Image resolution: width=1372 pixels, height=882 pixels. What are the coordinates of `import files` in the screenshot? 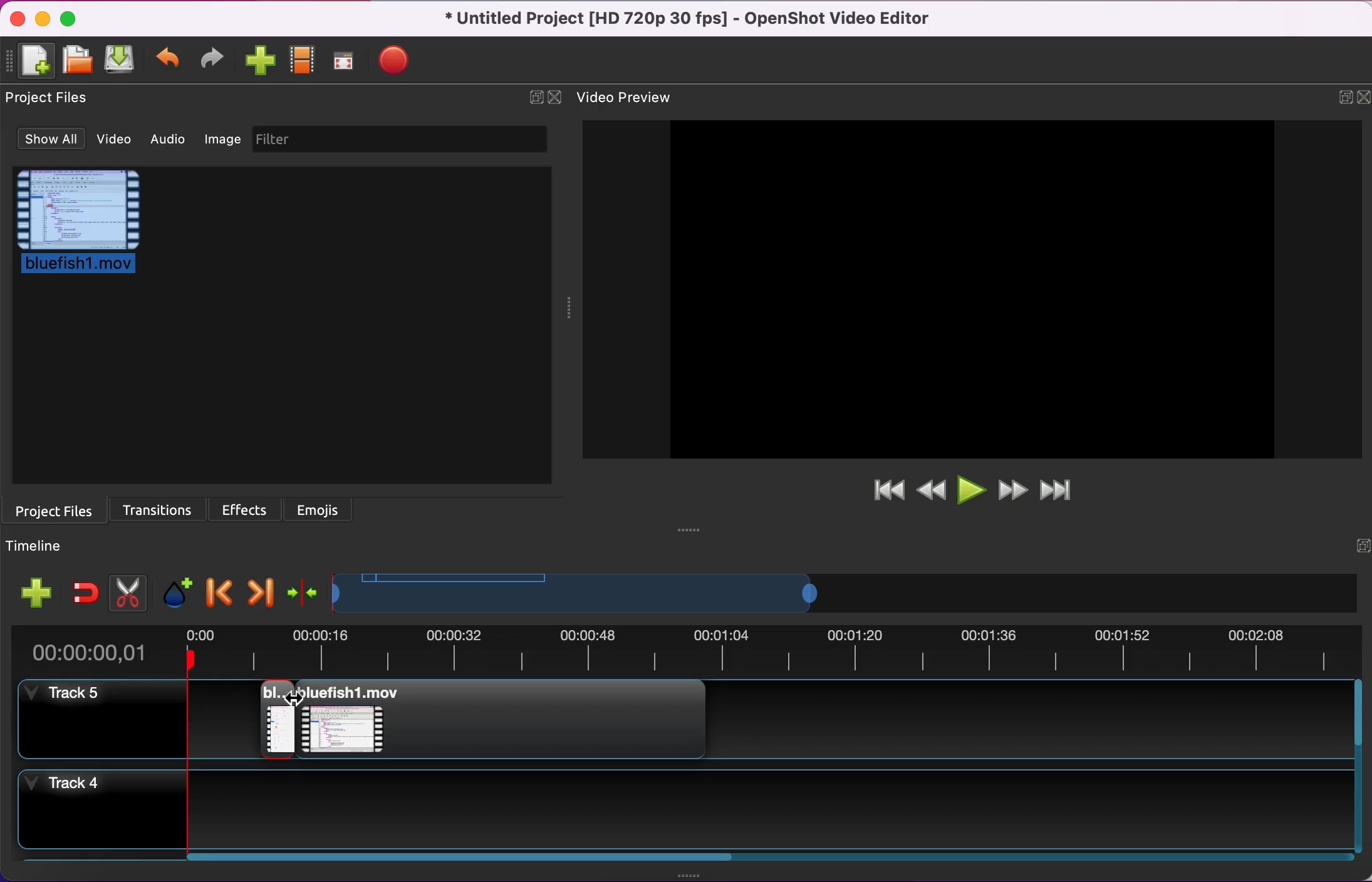 It's located at (261, 61).